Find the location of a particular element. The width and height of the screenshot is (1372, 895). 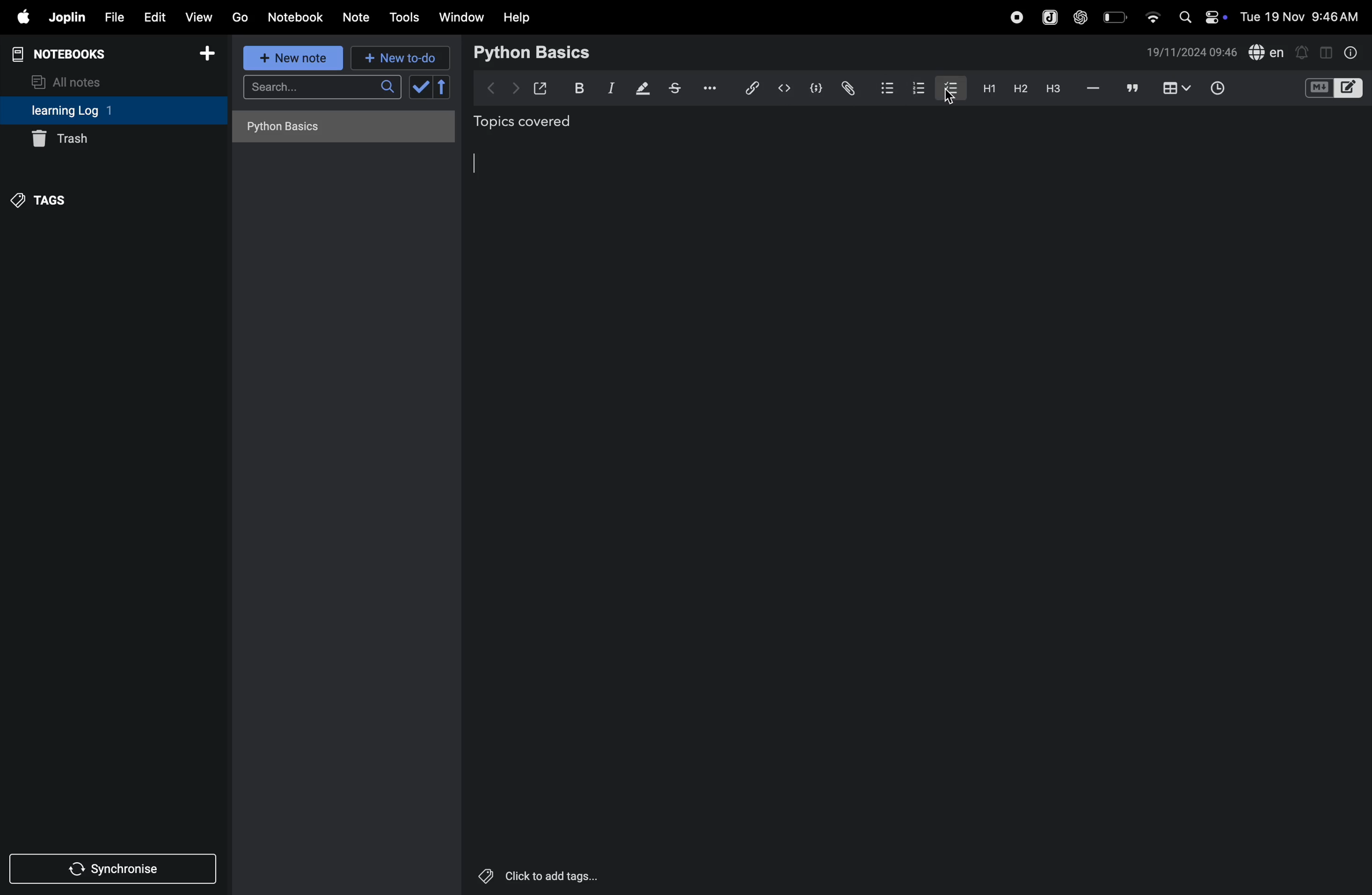

strike through is located at coordinates (675, 88).